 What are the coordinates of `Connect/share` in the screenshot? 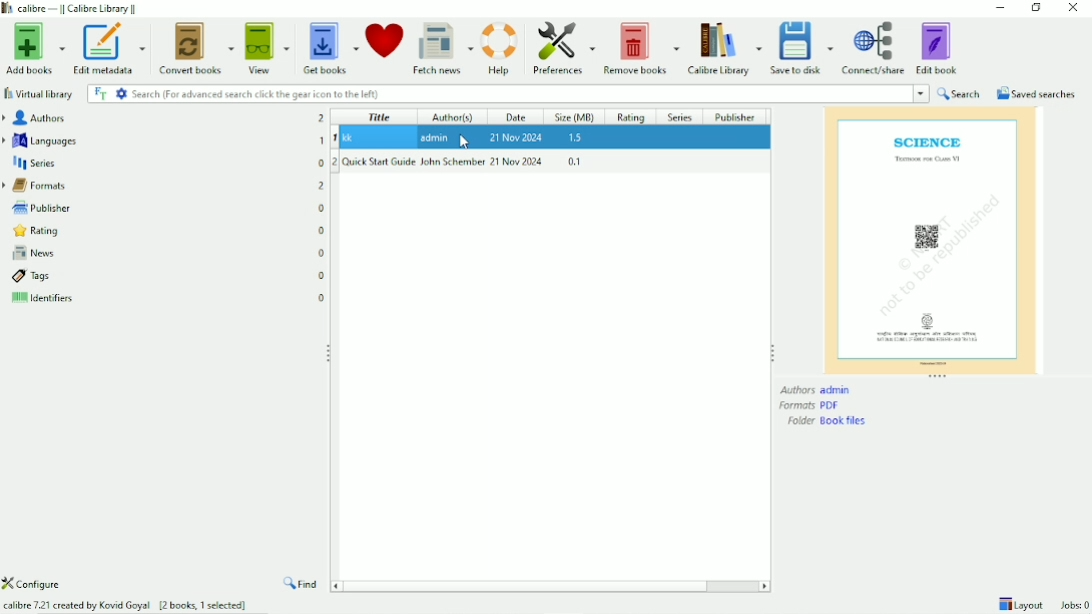 It's located at (873, 49).